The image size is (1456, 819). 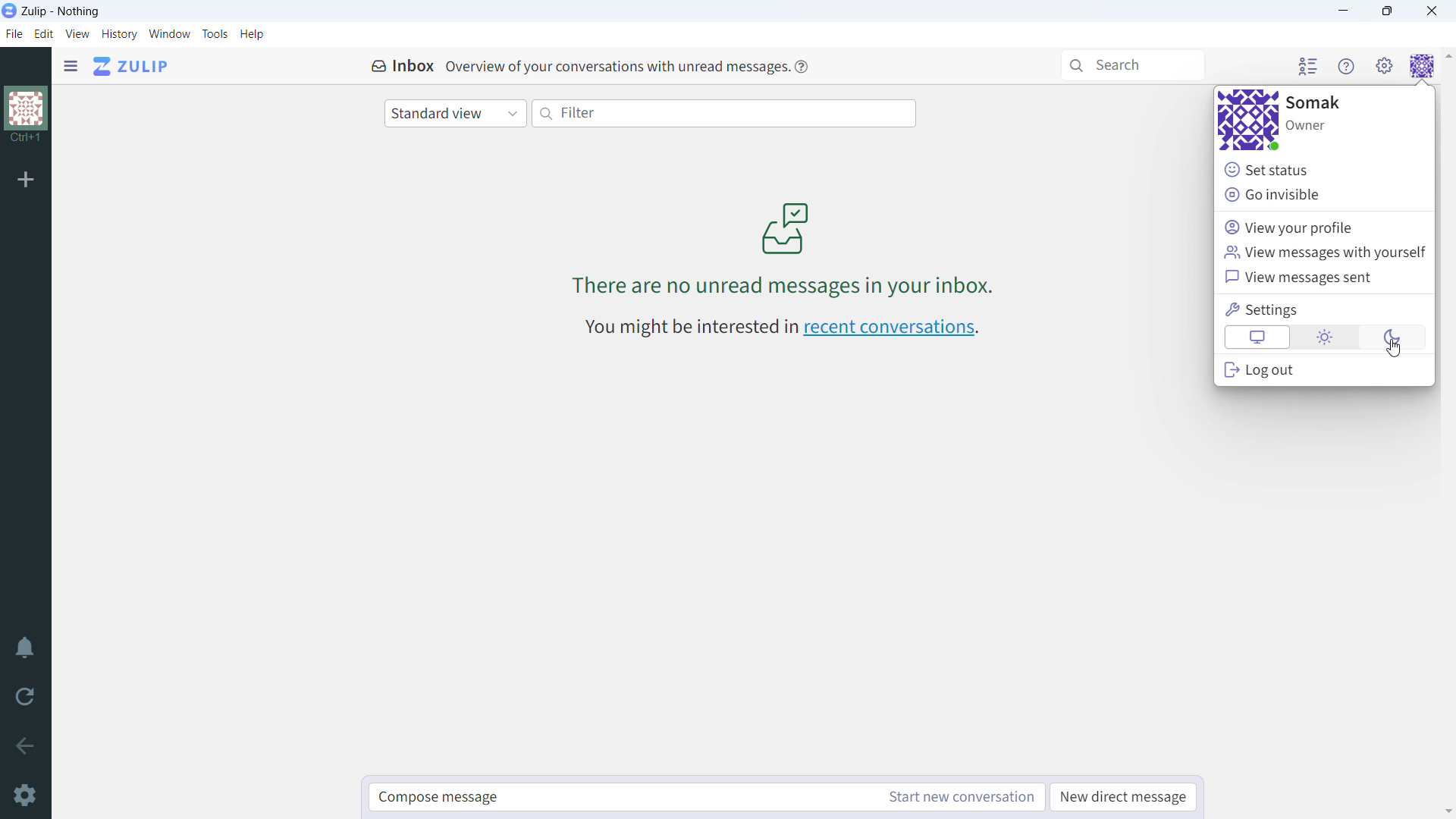 What do you see at coordinates (121, 34) in the screenshot?
I see `history` at bounding box center [121, 34].